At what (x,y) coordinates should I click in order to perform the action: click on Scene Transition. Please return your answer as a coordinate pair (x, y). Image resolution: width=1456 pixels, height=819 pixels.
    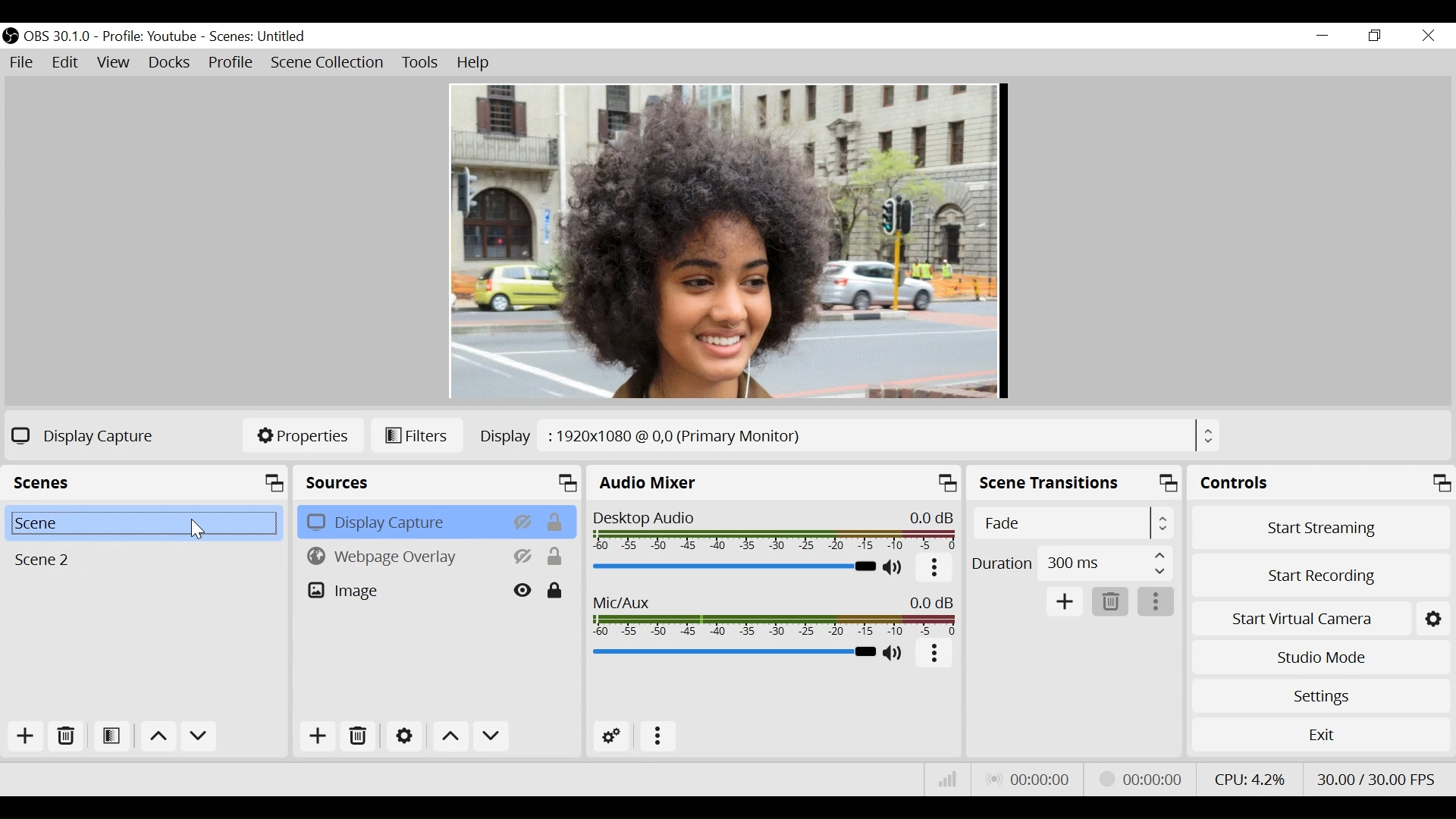
    Looking at the image, I should click on (1075, 483).